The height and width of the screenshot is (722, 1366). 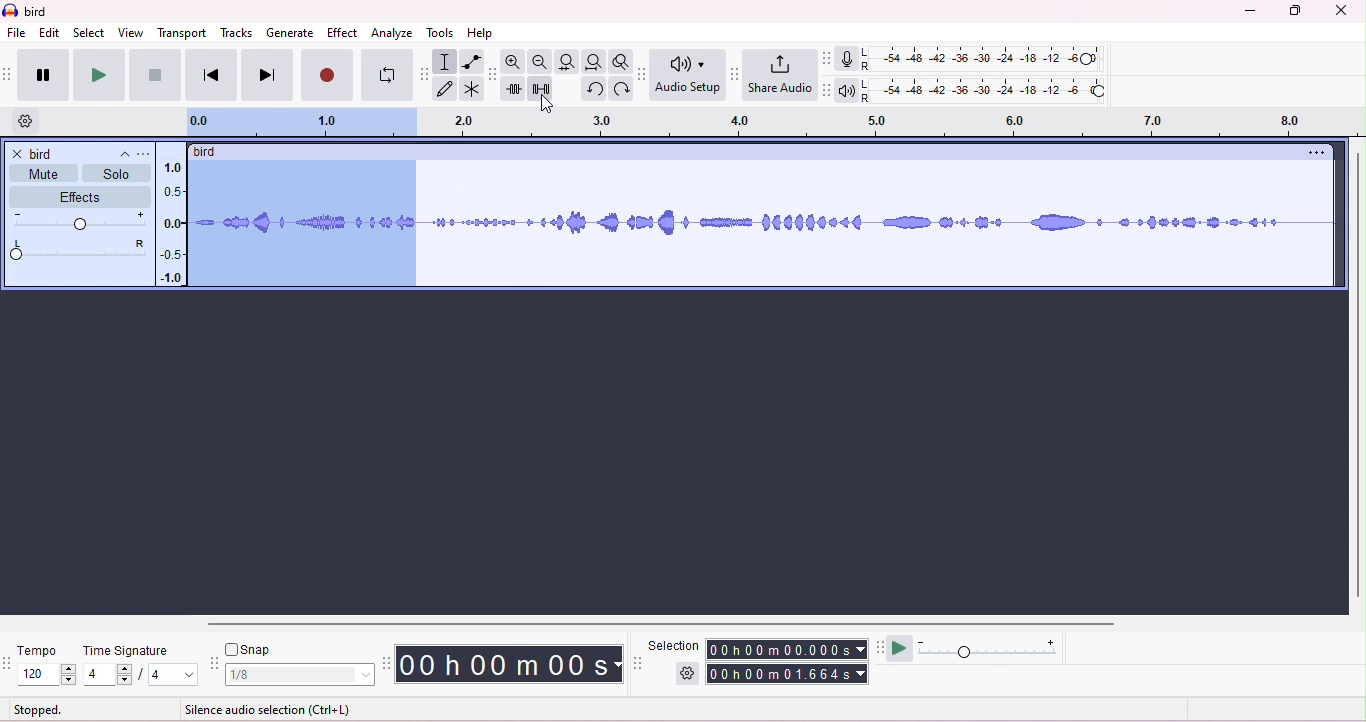 What do you see at coordinates (344, 34) in the screenshot?
I see `effect` at bounding box center [344, 34].